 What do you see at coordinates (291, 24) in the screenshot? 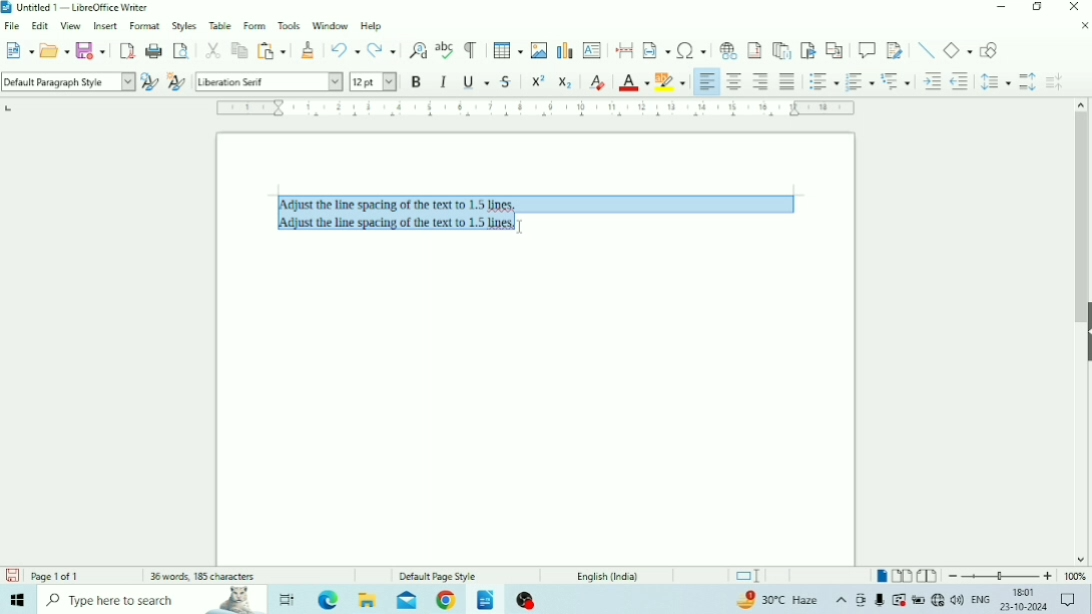
I see `Tools` at bounding box center [291, 24].